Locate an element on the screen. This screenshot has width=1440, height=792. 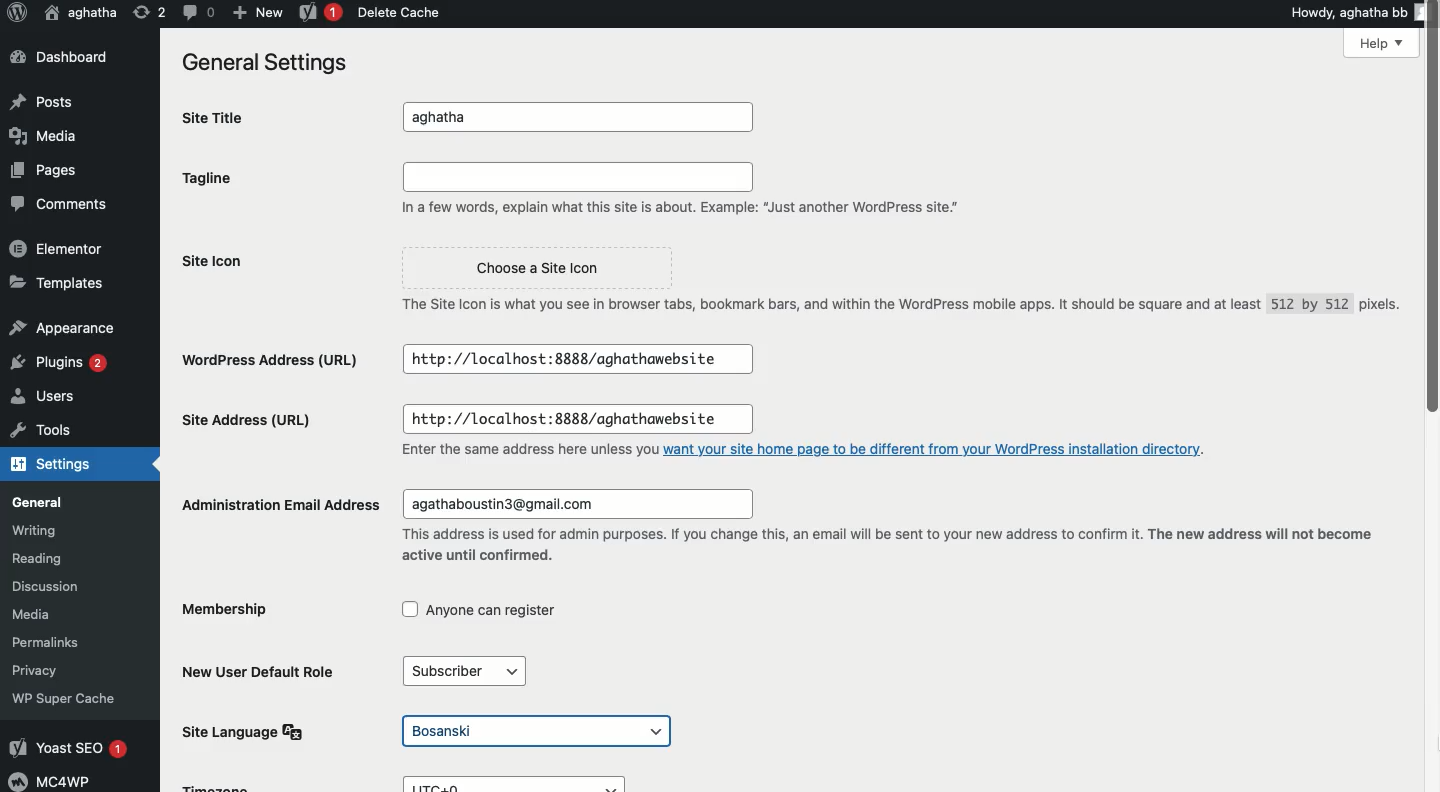
Timezone is located at coordinates (218, 786).